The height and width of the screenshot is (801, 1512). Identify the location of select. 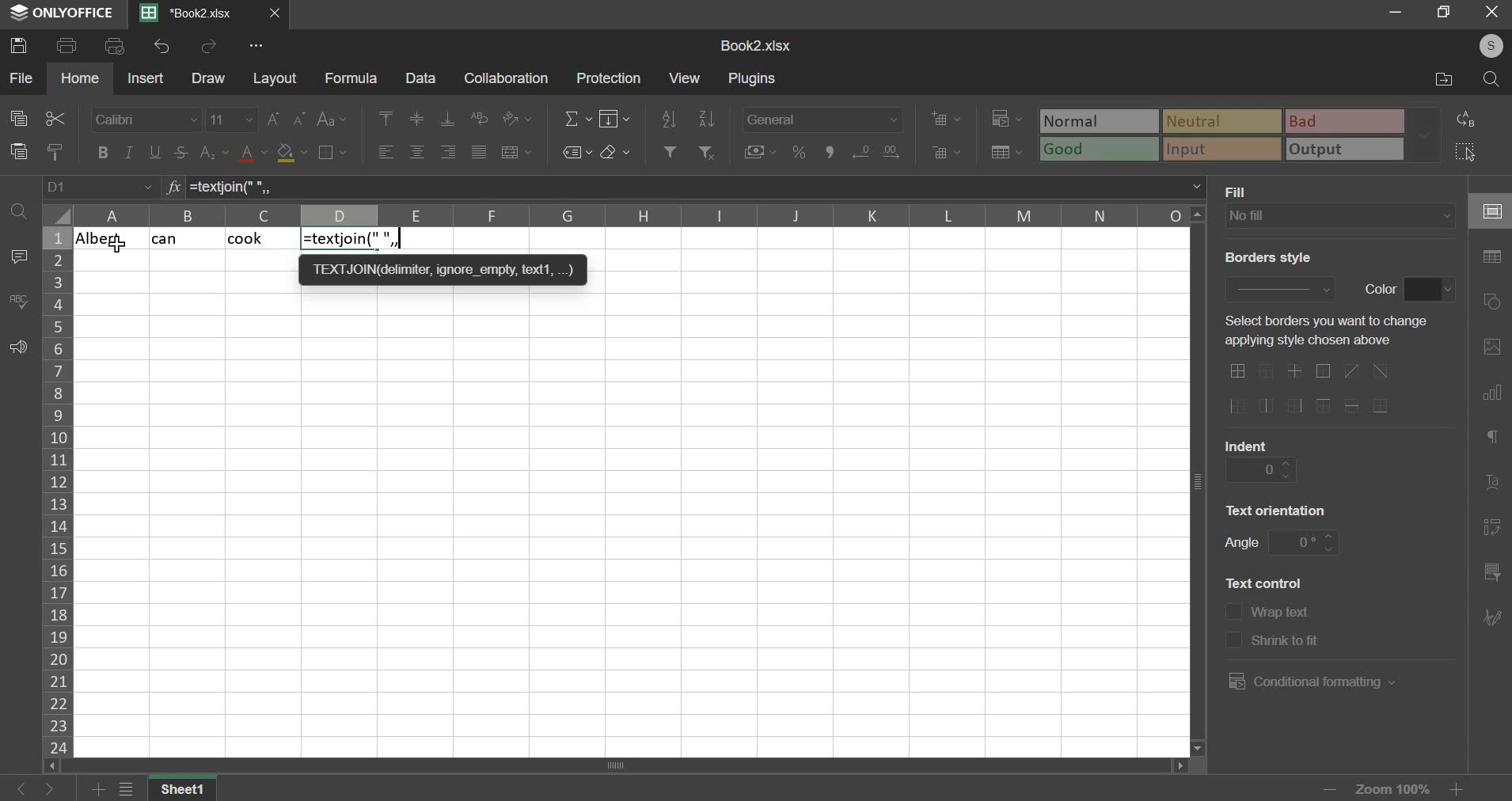
(1474, 152).